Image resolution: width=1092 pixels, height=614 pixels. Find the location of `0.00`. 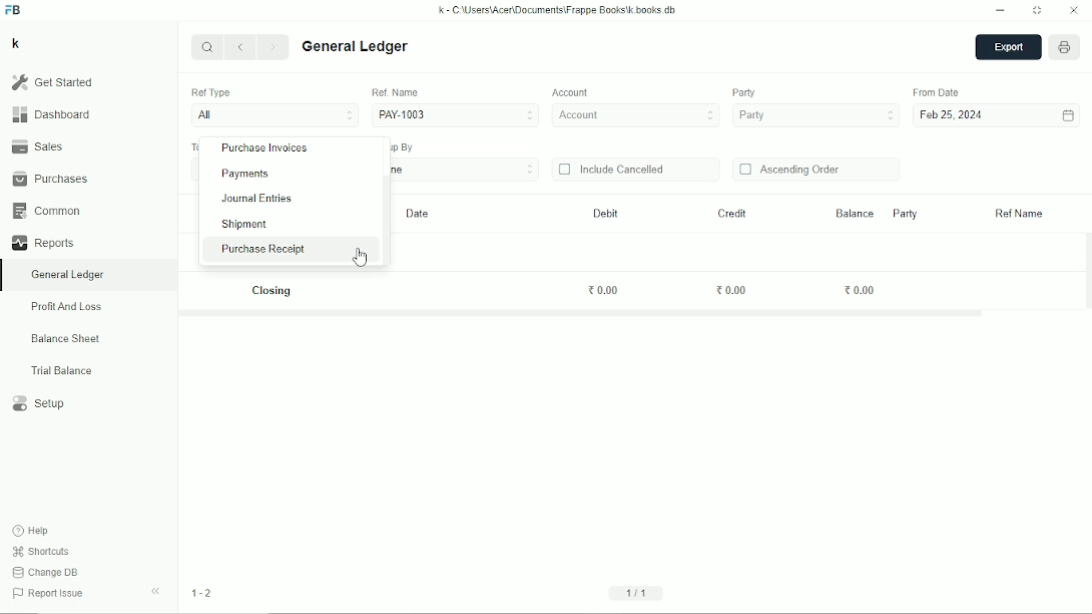

0.00 is located at coordinates (732, 291).